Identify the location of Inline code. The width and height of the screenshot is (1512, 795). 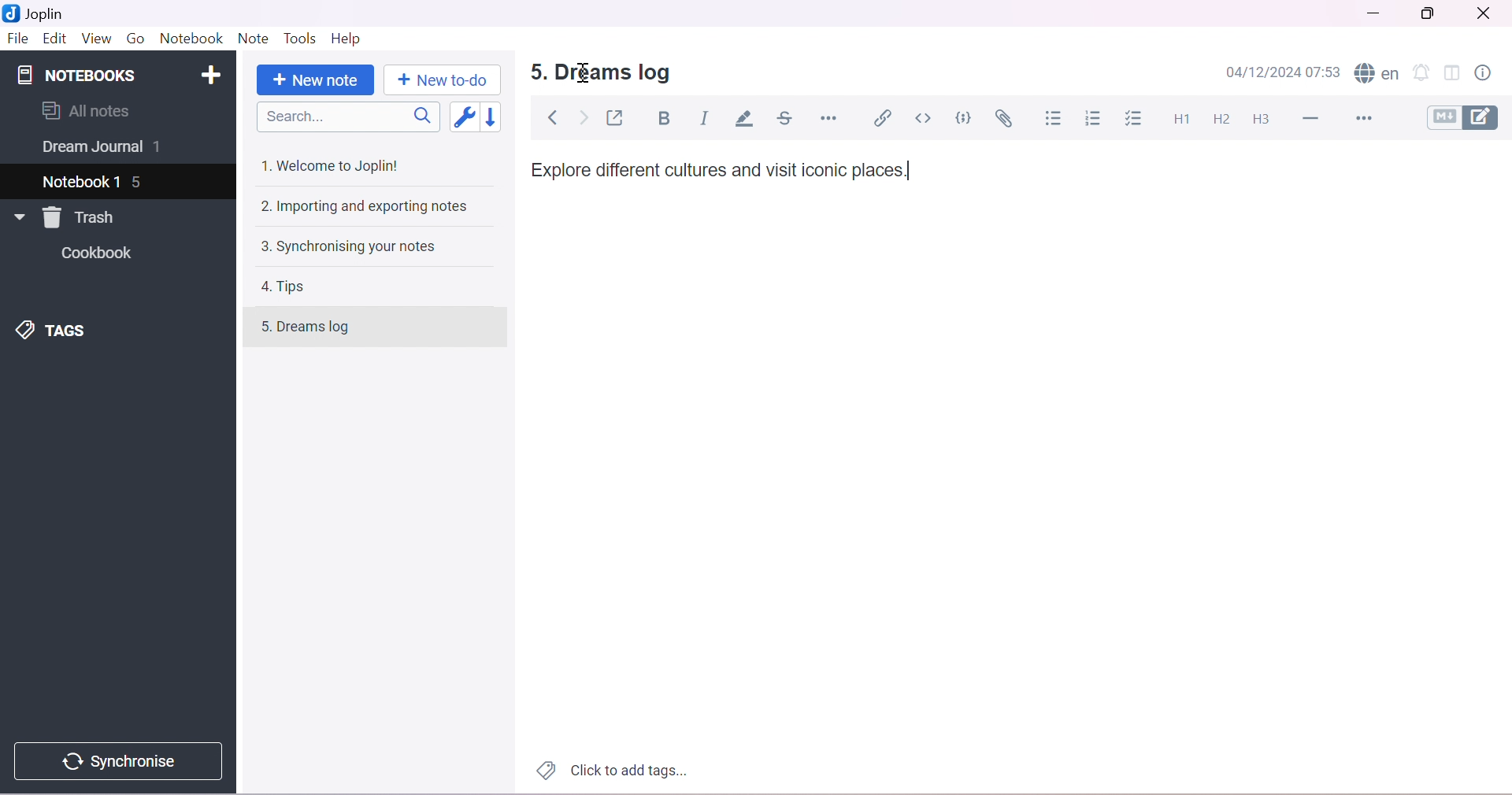
(925, 118).